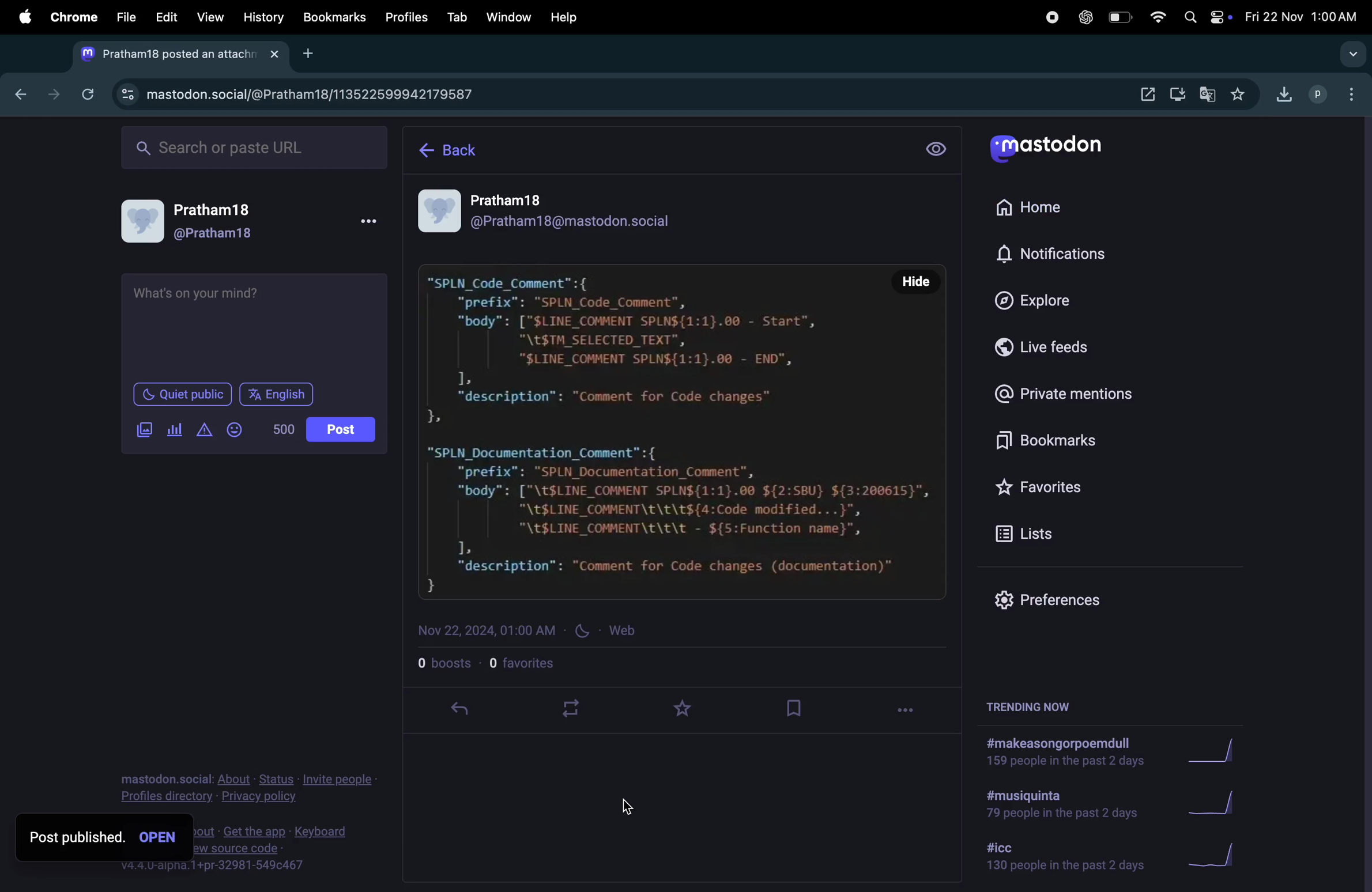 Image resolution: width=1372 pixels, height=892 pixels. Describe the element at coordinates (342, 96) in the screenshot. I see `mastodon url` at that location.